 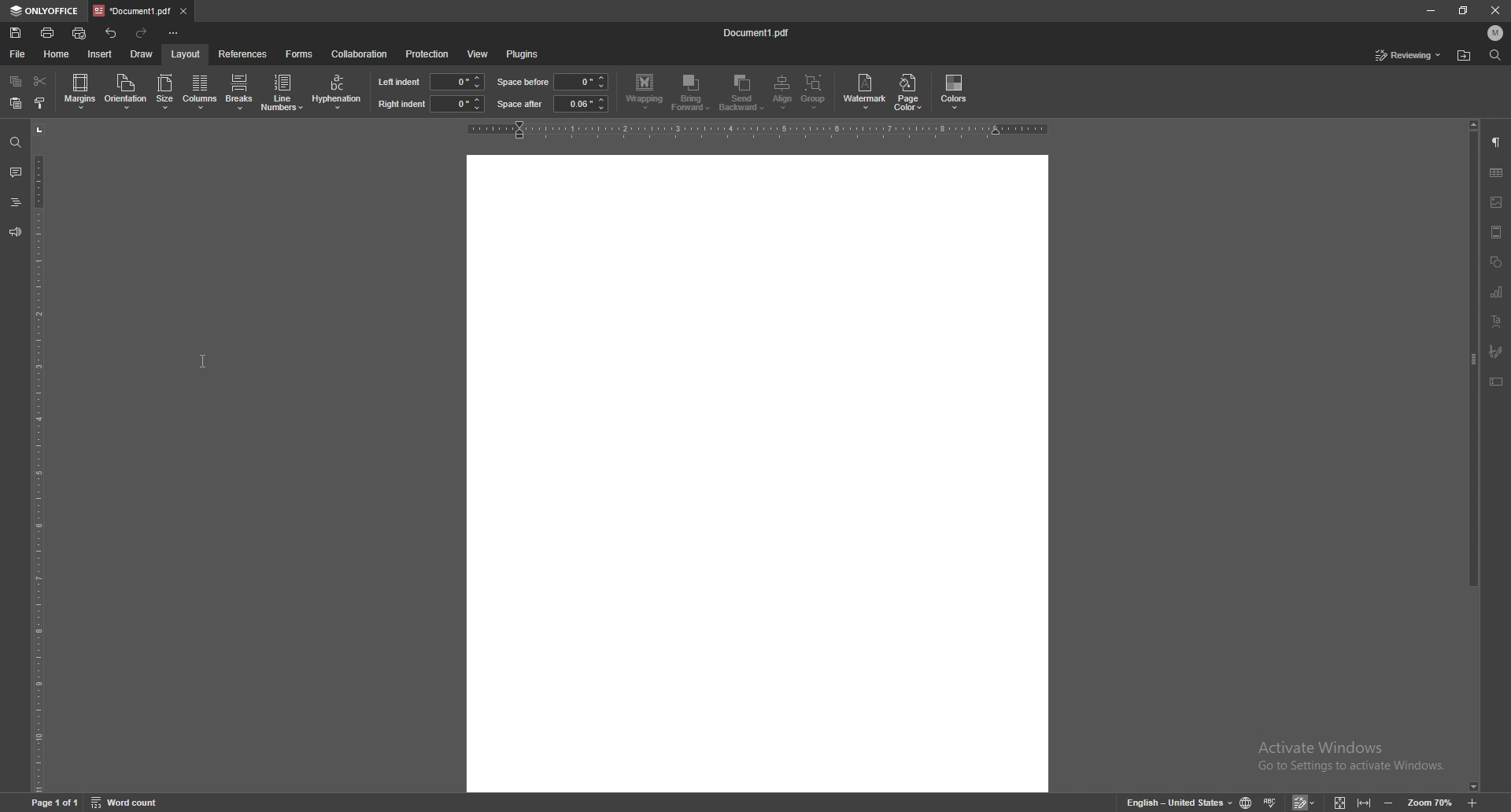 What do you see at coordinates (42, 11) in the screenshot?
I see `onlyoffice` at bounding box center [42, 11].